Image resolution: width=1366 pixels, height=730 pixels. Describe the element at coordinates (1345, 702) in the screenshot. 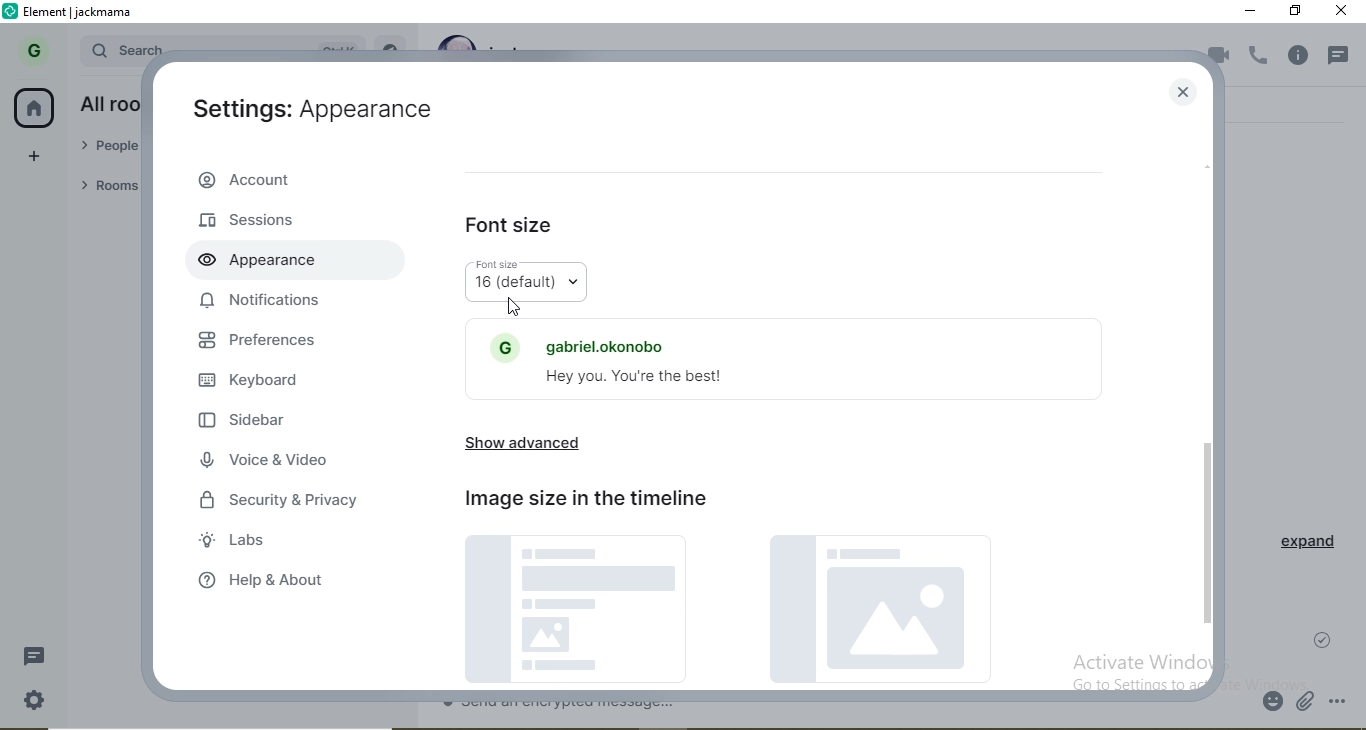

I see `options` at that location.